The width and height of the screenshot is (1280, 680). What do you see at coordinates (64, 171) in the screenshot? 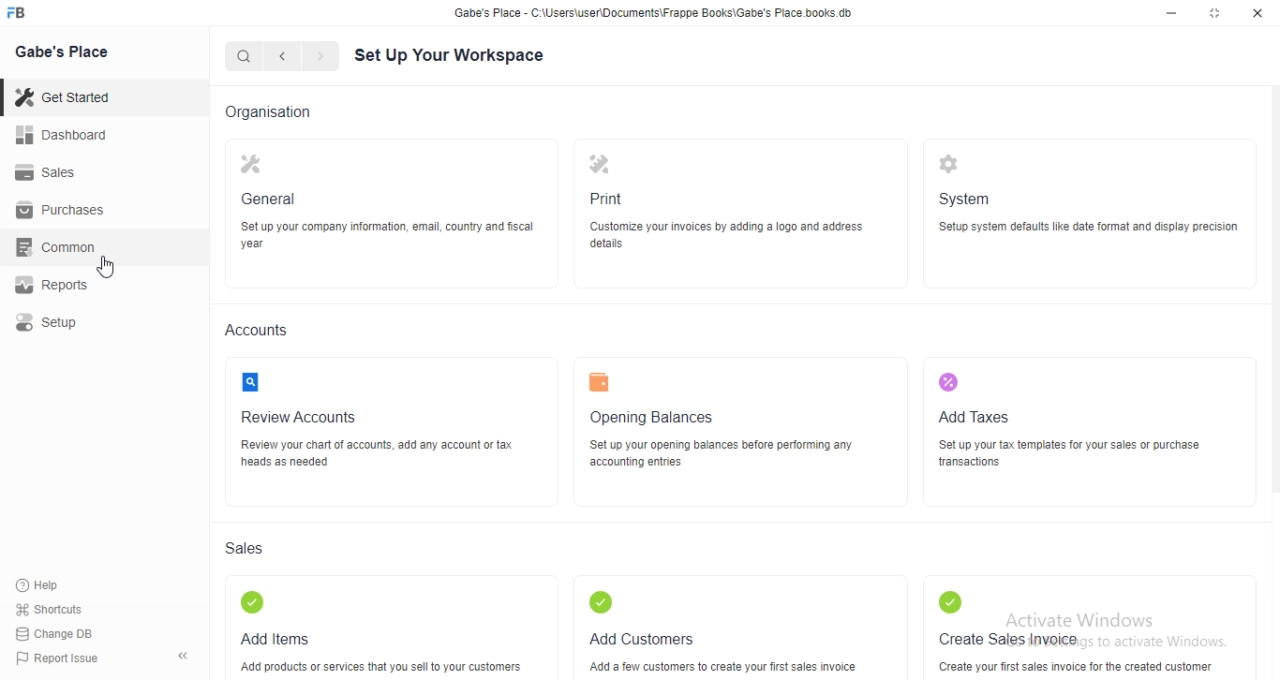
I see `Sales` at bounding box center [64, 171].